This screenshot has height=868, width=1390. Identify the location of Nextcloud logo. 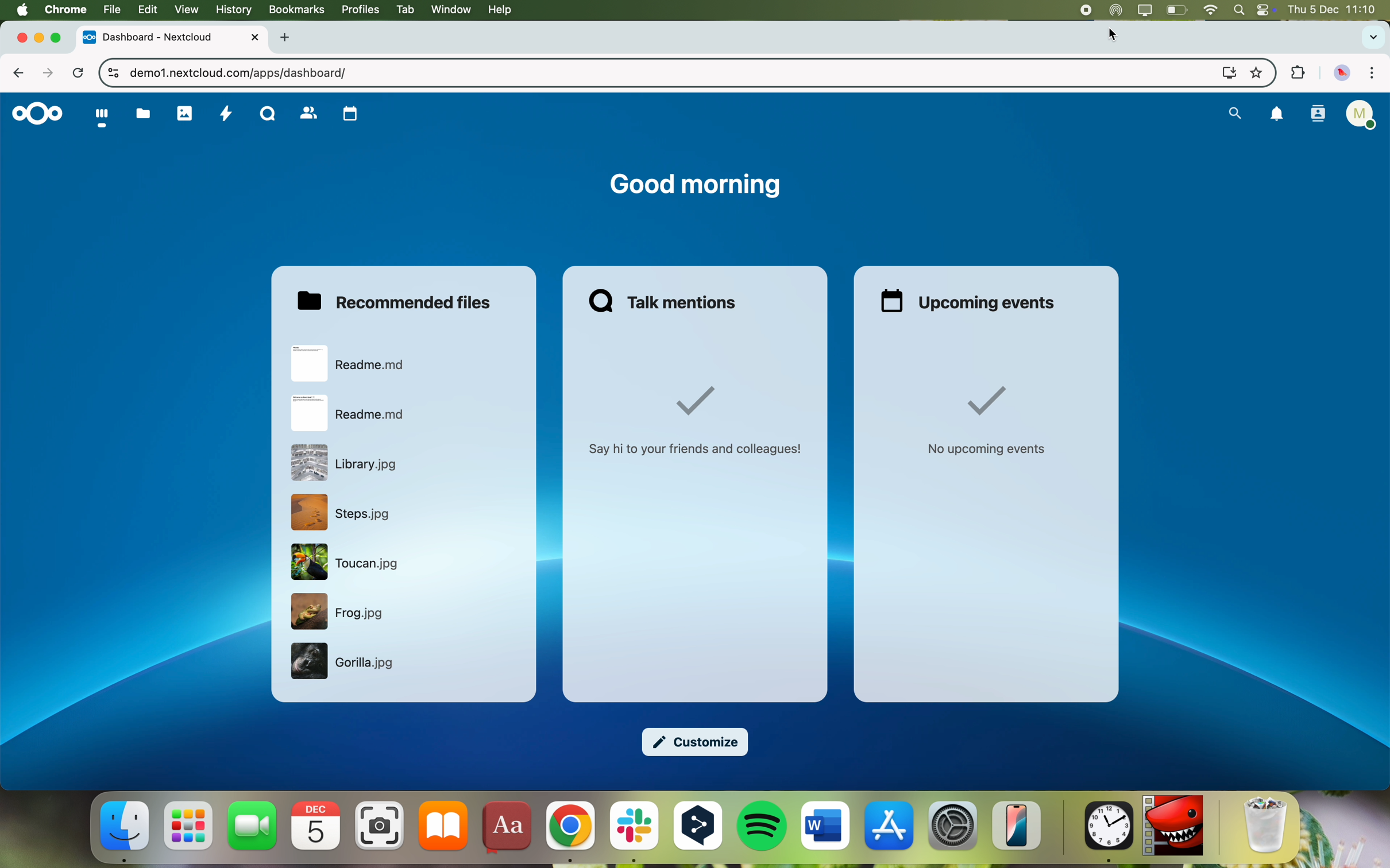
(34, 115).